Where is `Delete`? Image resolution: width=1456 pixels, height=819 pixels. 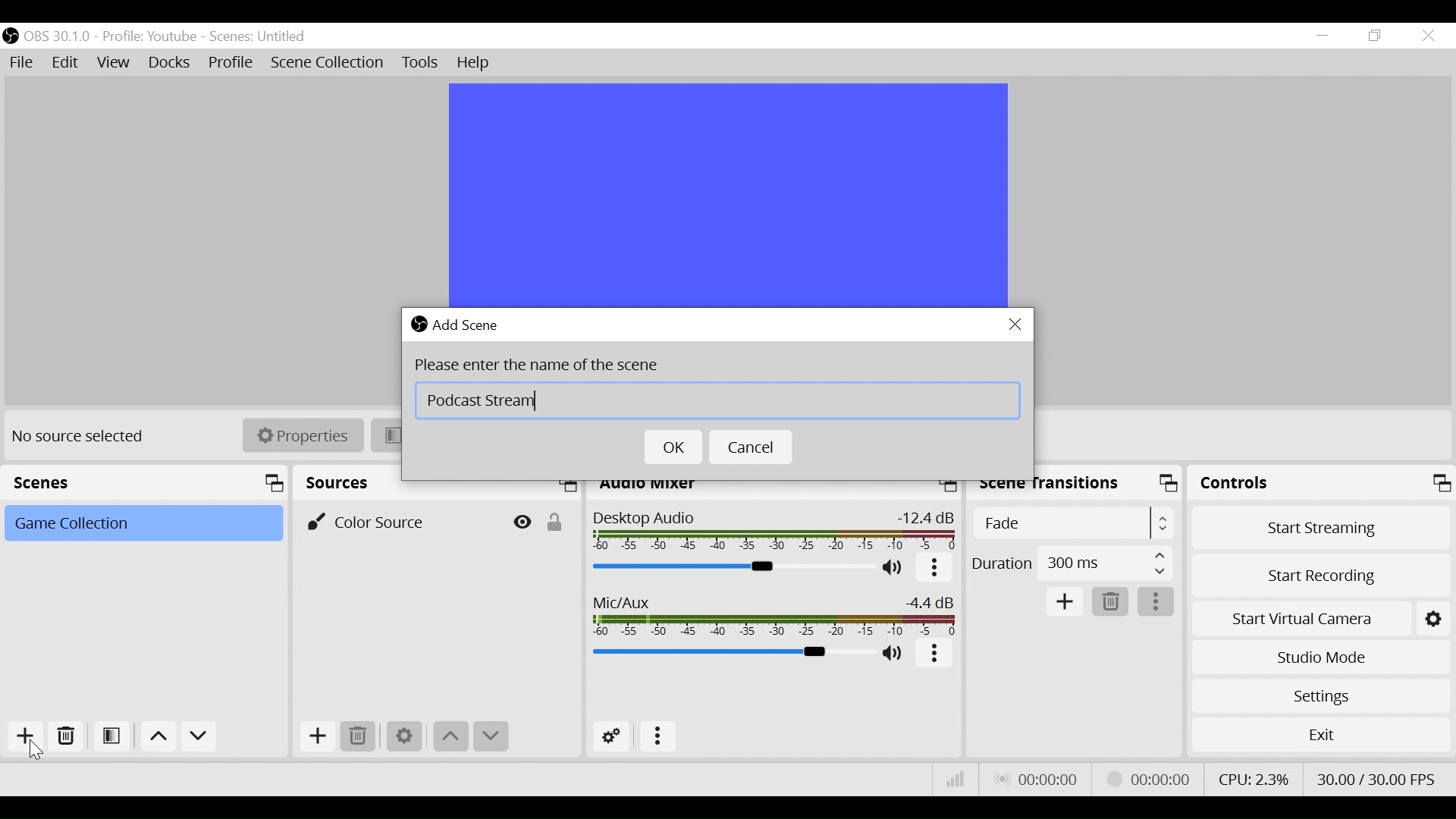 Delete is located at coordinates (1111, 602).